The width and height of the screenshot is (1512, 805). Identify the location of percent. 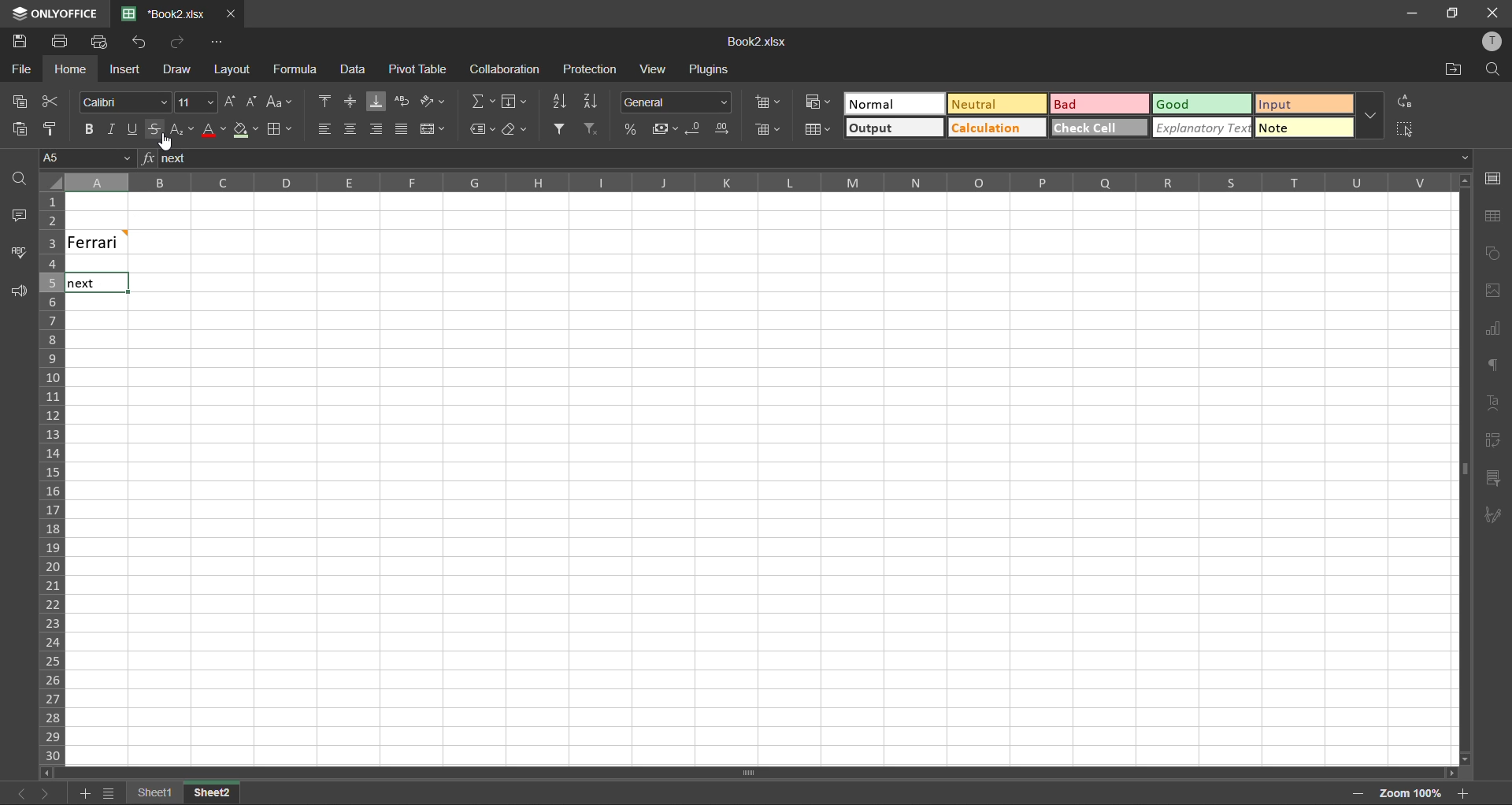
(632, 131).